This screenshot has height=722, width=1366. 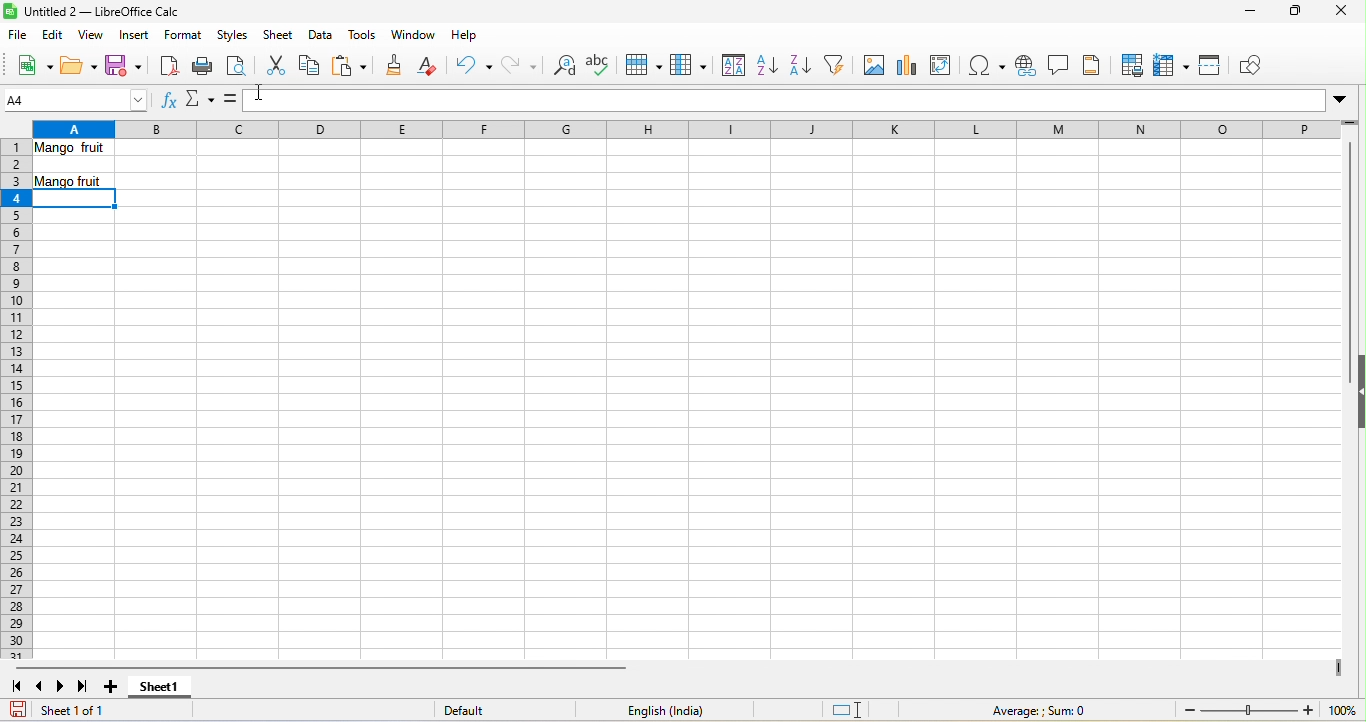 I want to click on styles, so click(x=234, y=36).